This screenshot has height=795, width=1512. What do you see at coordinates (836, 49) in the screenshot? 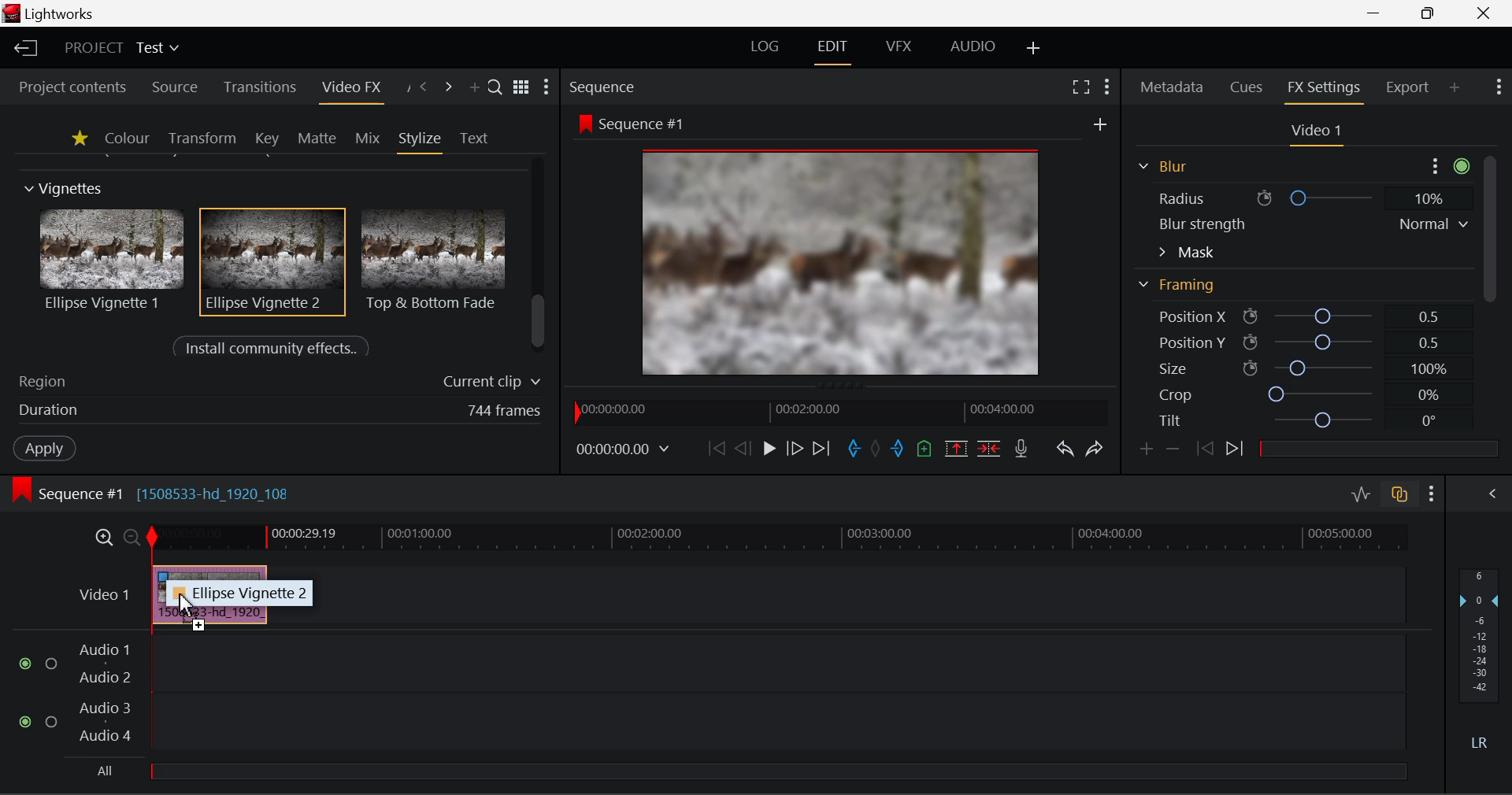
I see `Edit Layout Open` at bounding box center [836, 49].